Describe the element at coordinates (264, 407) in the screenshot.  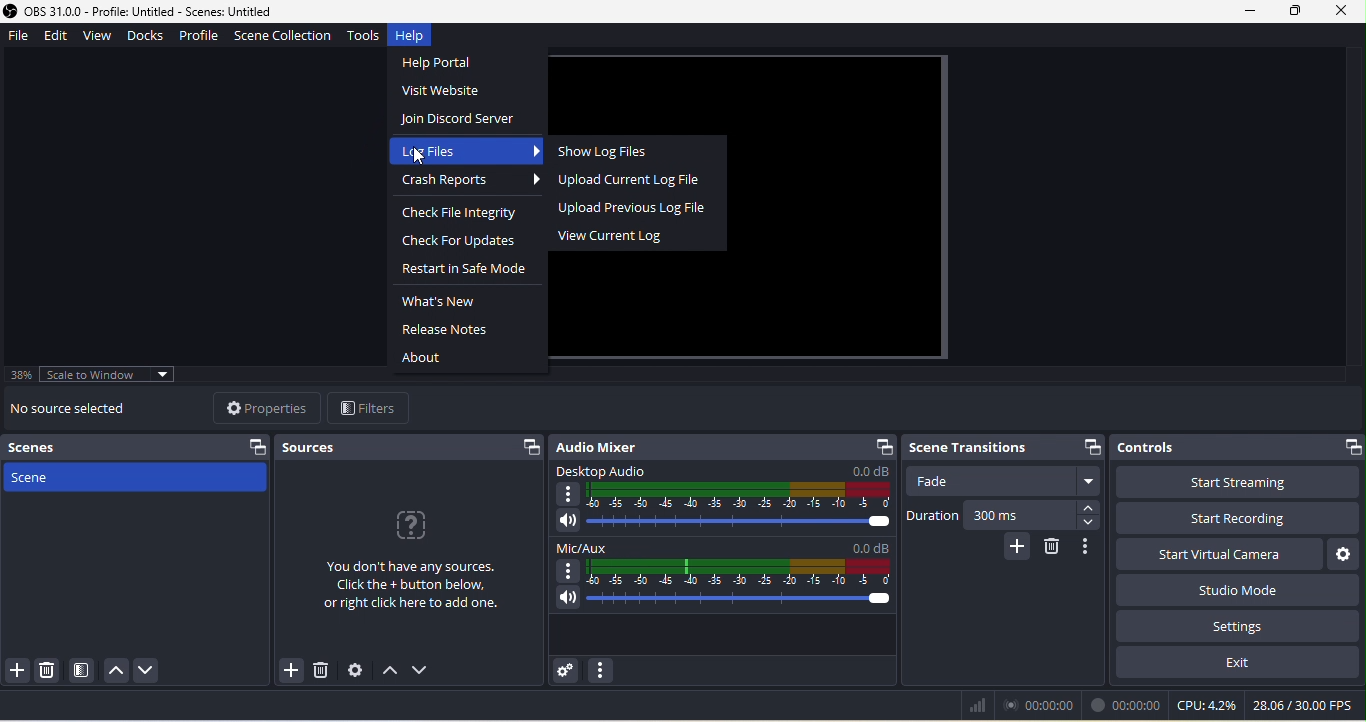
I see `properties` at that location.